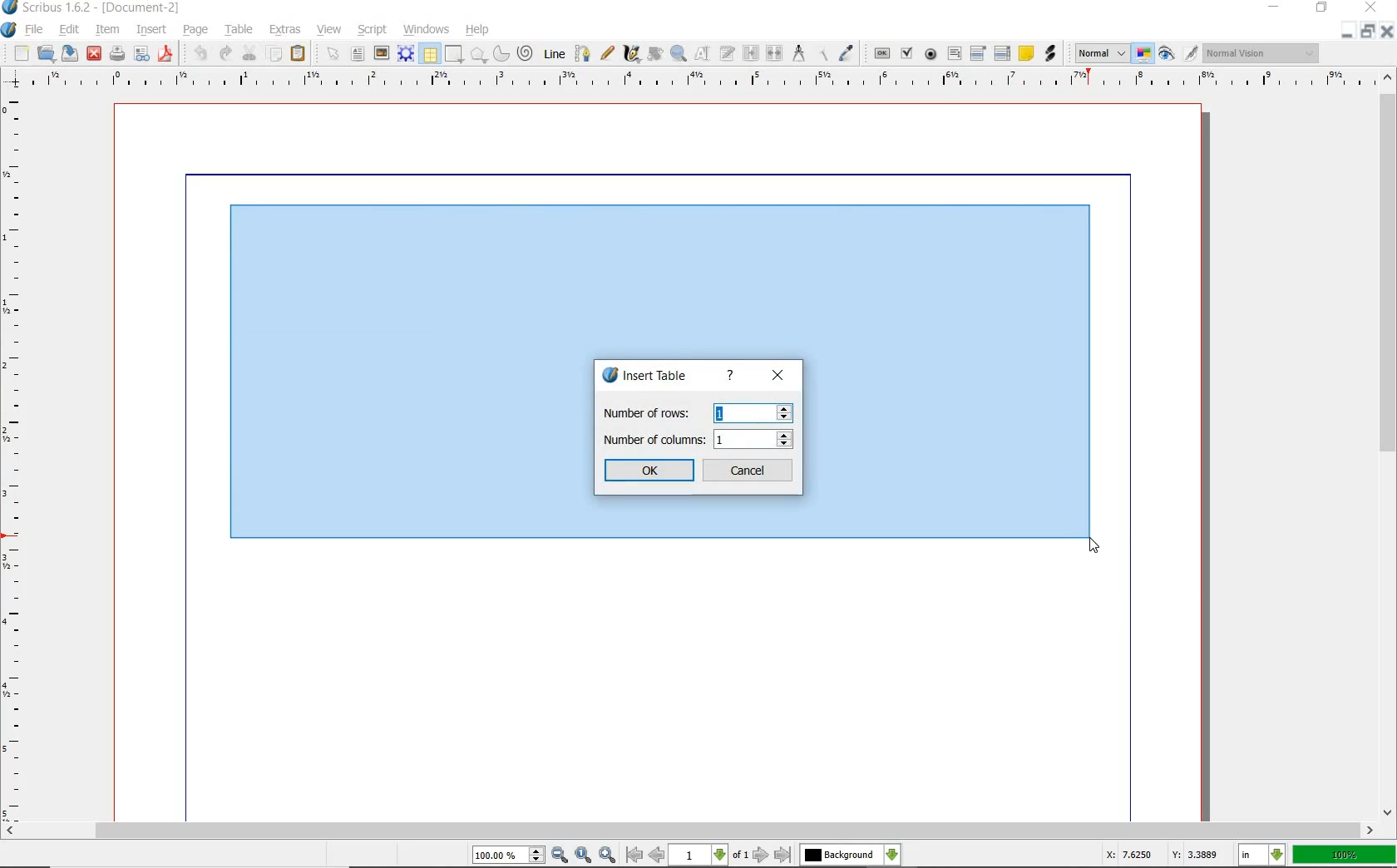 This screenshot has width=1397, height=868. Describe the element at coordinates (454, 55) in the screenshot. I see `shape` at that location.